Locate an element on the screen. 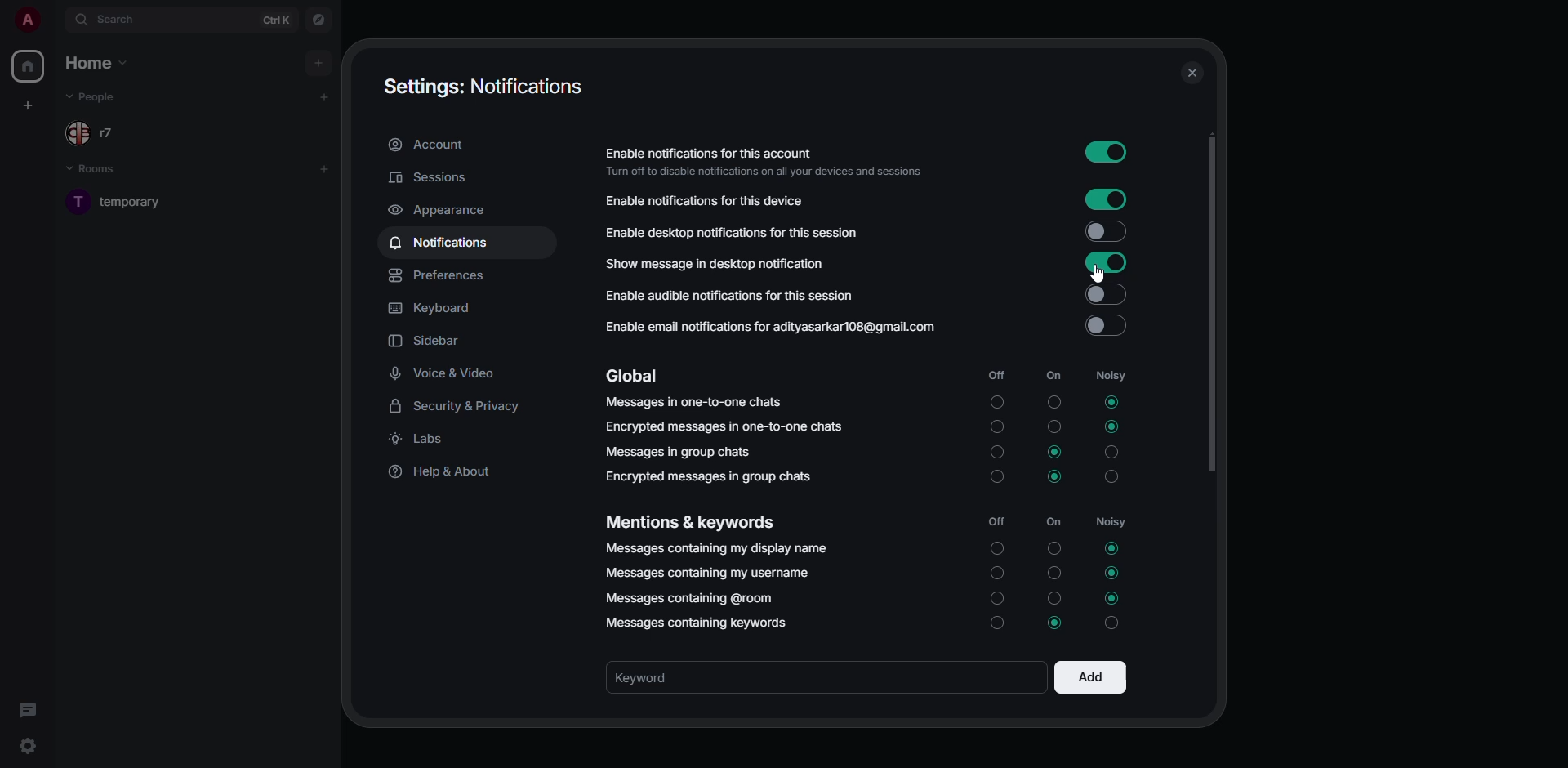 The height and width of the screenshot is (768, 1568). click to enable is located at coordinates (1106, 327).